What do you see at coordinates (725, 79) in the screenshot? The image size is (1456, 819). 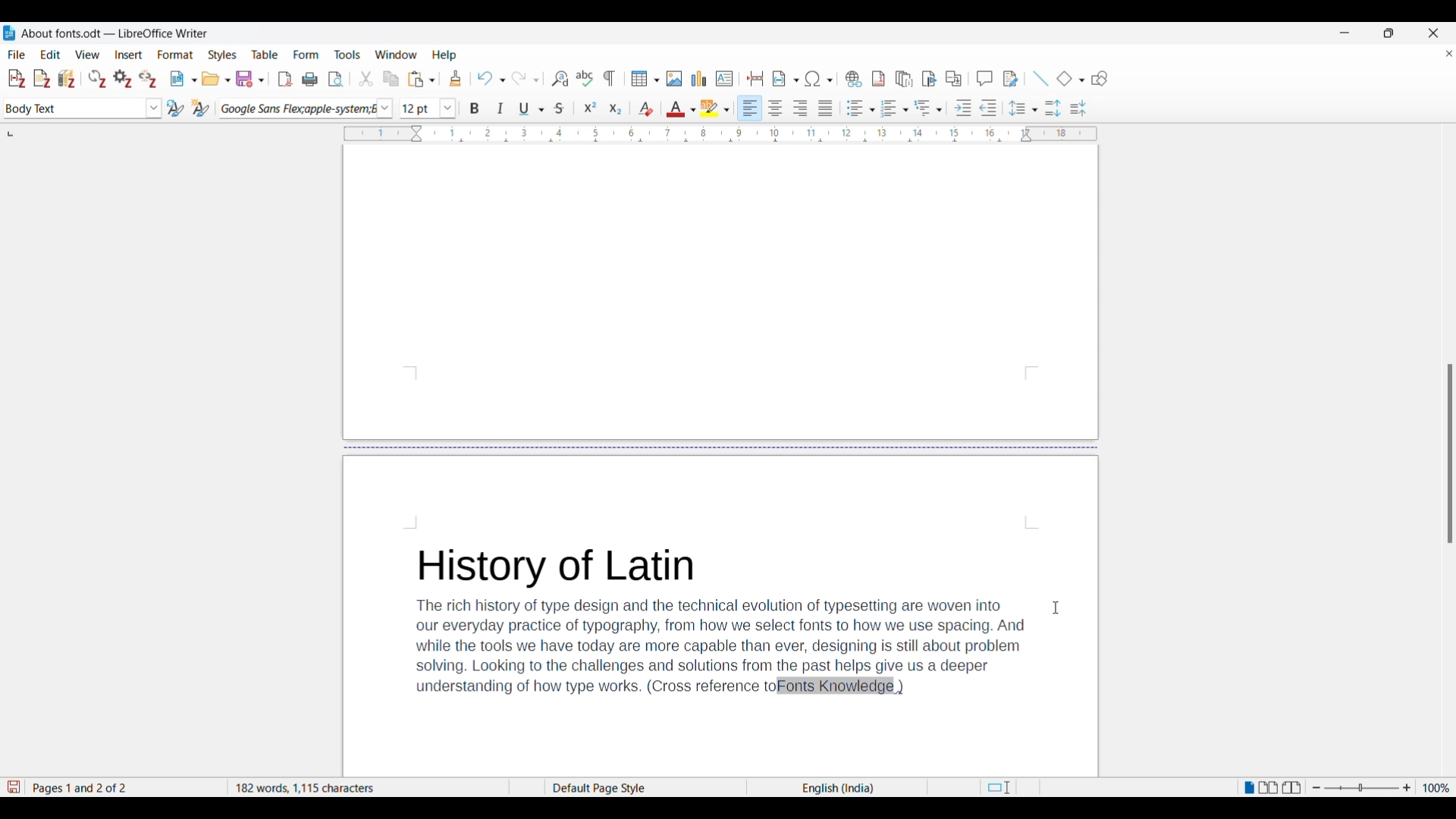 I see `Insert text box` at bounding box center [725, 79].